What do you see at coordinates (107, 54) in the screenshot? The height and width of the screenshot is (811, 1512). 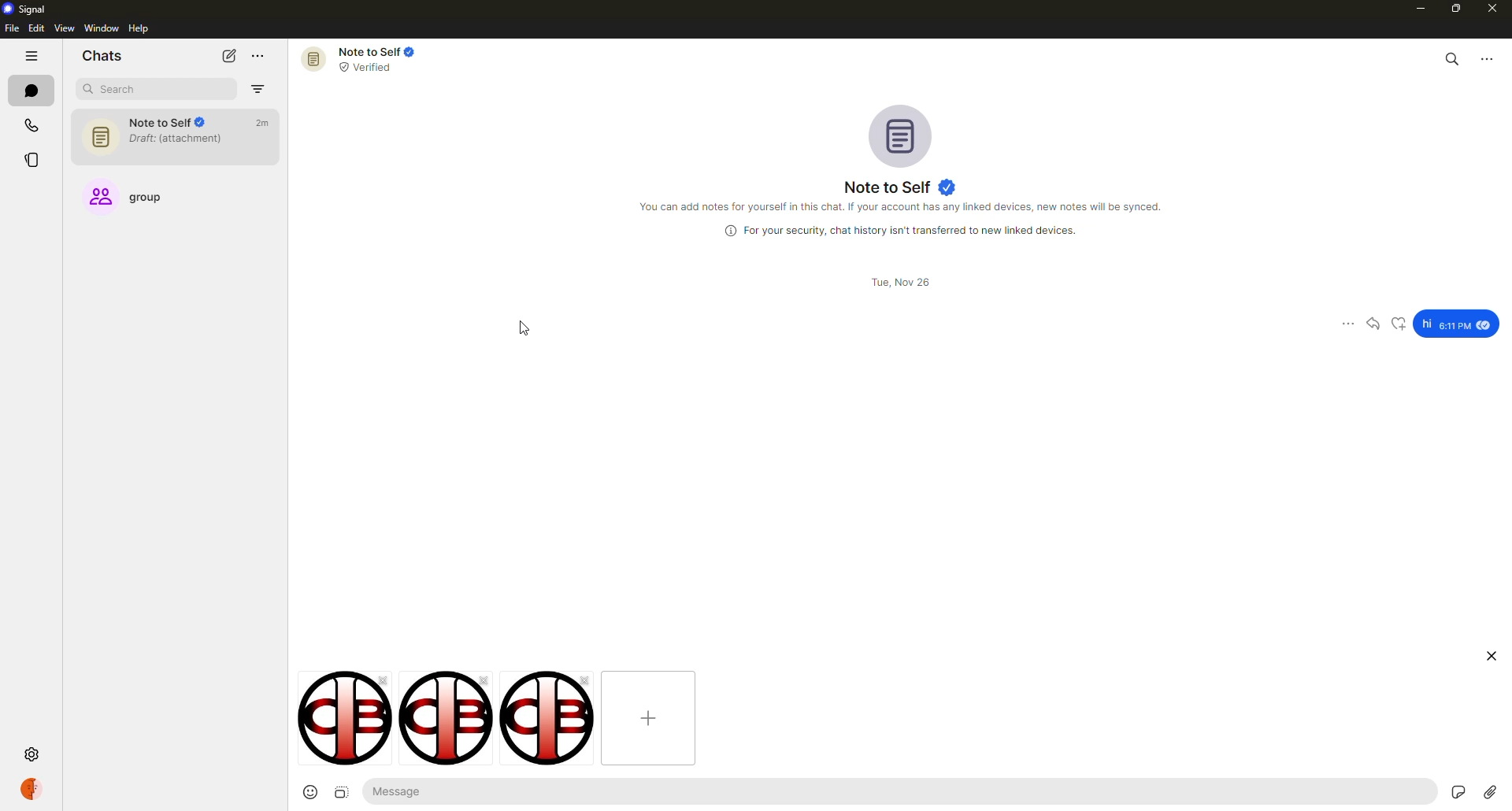 I see `chats` at bounding box center [107, 54].